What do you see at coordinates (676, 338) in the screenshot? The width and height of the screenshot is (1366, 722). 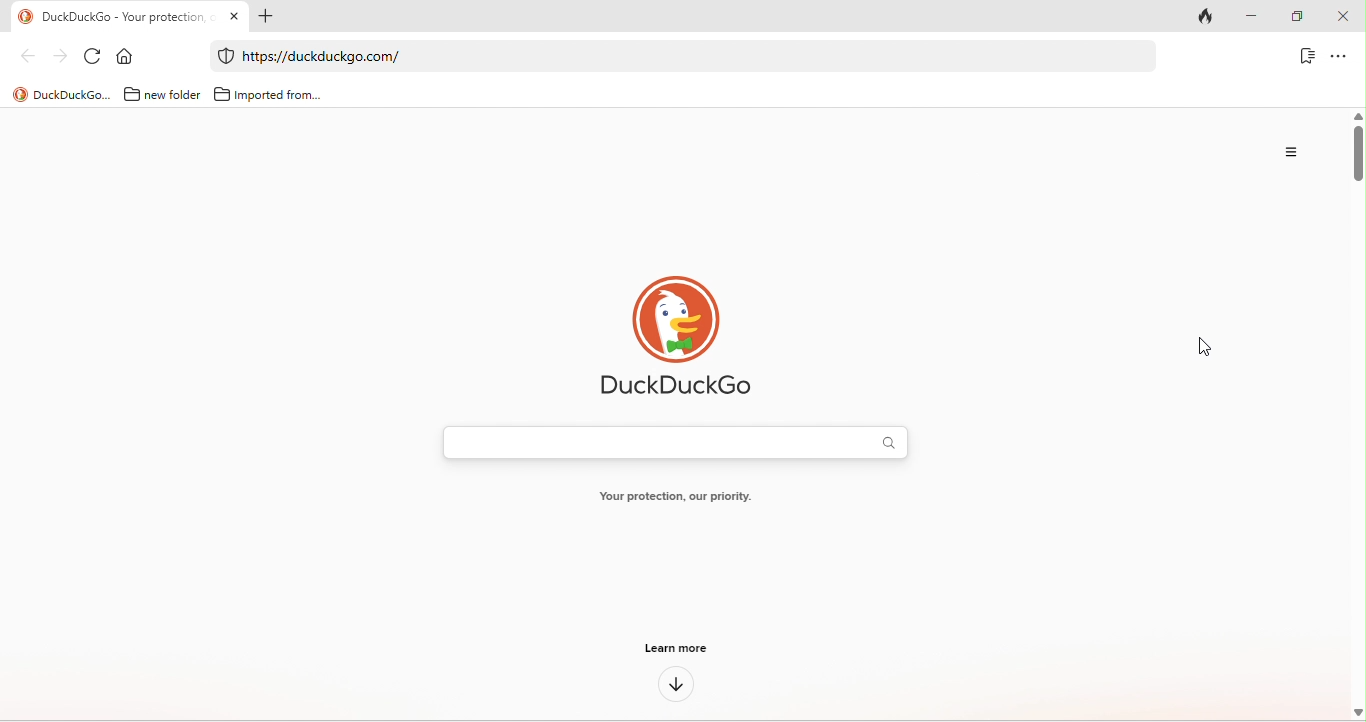 I see `duck duck go logo` at bounding box center [676, 338].